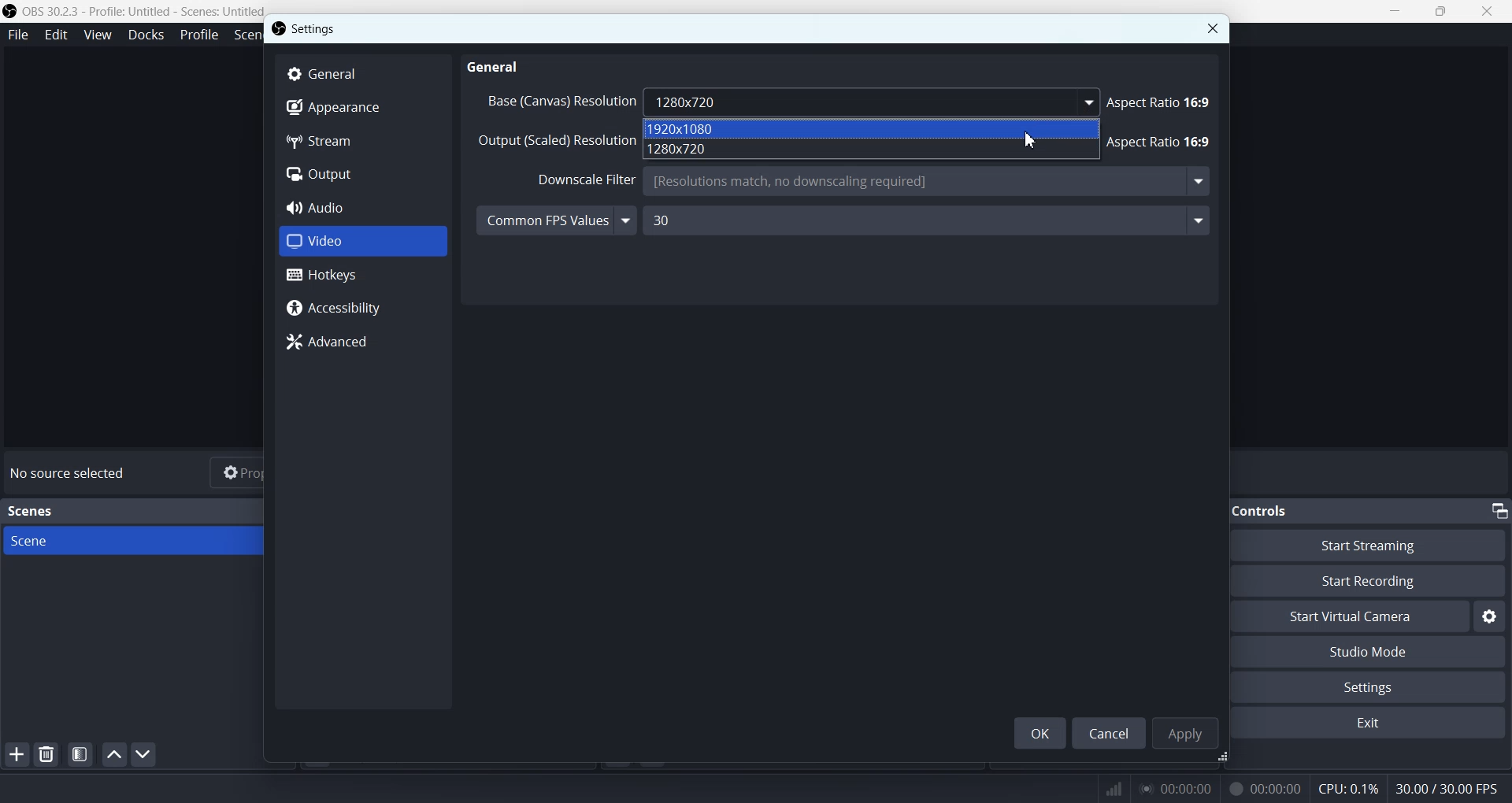 The image size is (1512, 803). What do you see at coordinates (1028, 139) in the screenshot?
I see `Cursor` at bounding box center [1028, 139].